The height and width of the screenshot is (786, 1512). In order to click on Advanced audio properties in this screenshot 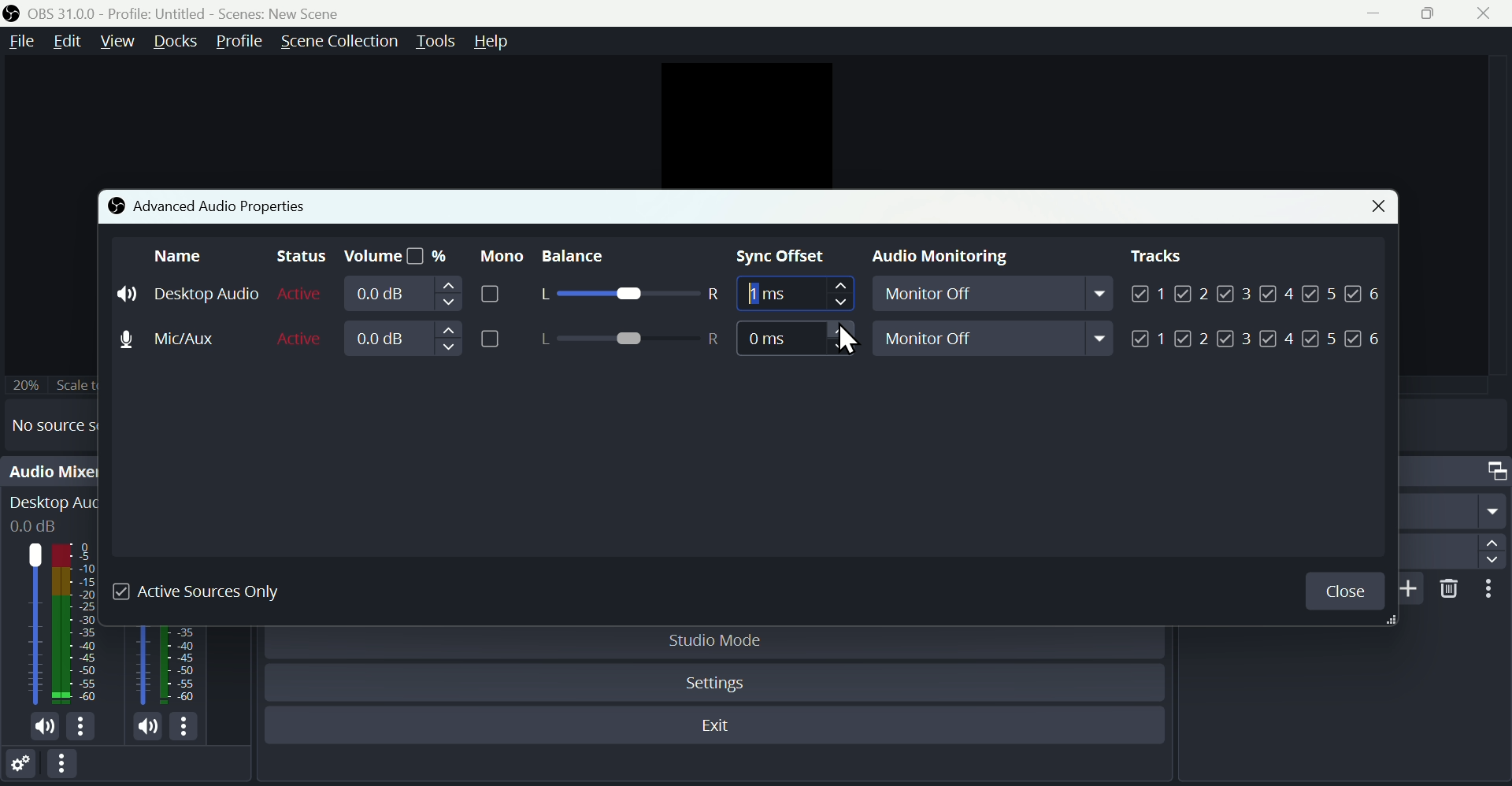, I will do `click(208, 205)`.